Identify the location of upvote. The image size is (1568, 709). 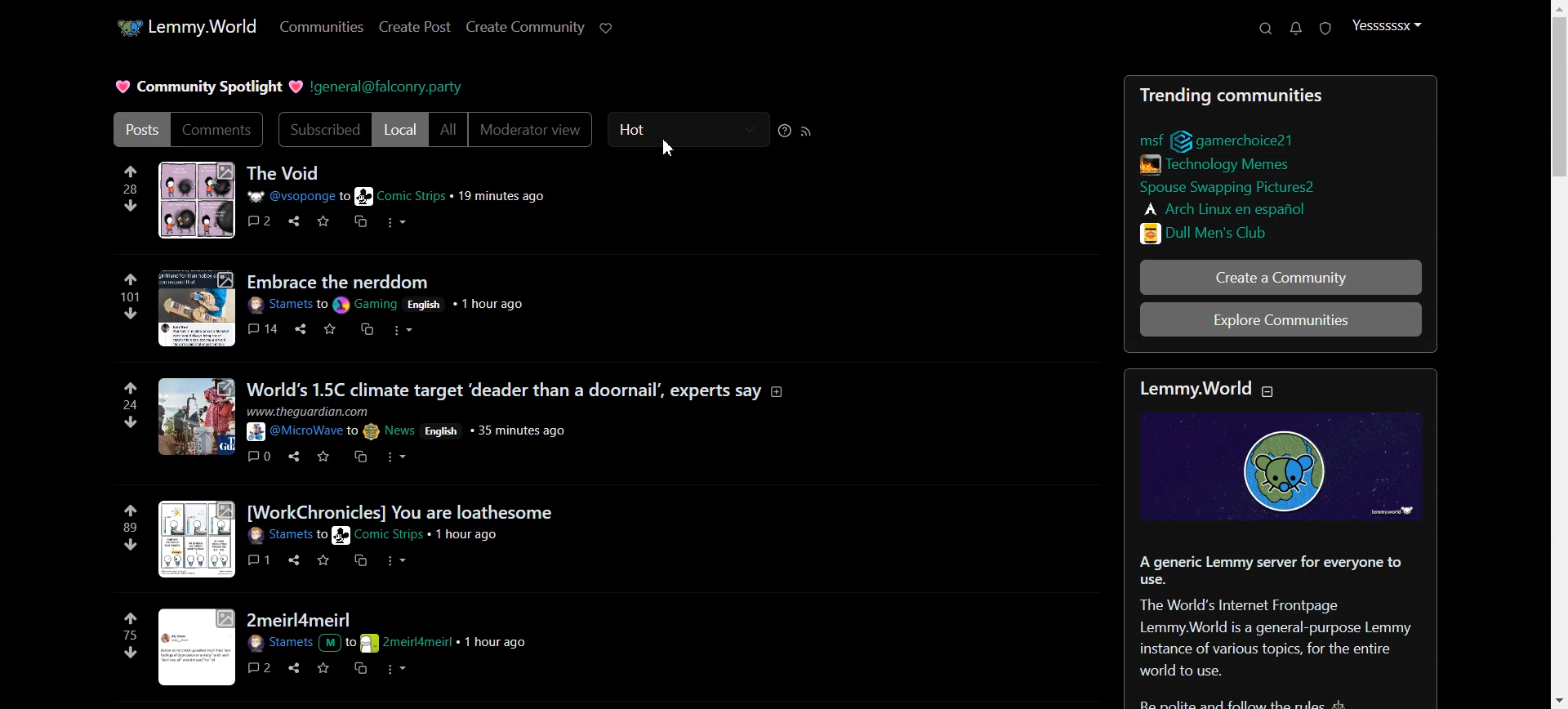
(130, 390).